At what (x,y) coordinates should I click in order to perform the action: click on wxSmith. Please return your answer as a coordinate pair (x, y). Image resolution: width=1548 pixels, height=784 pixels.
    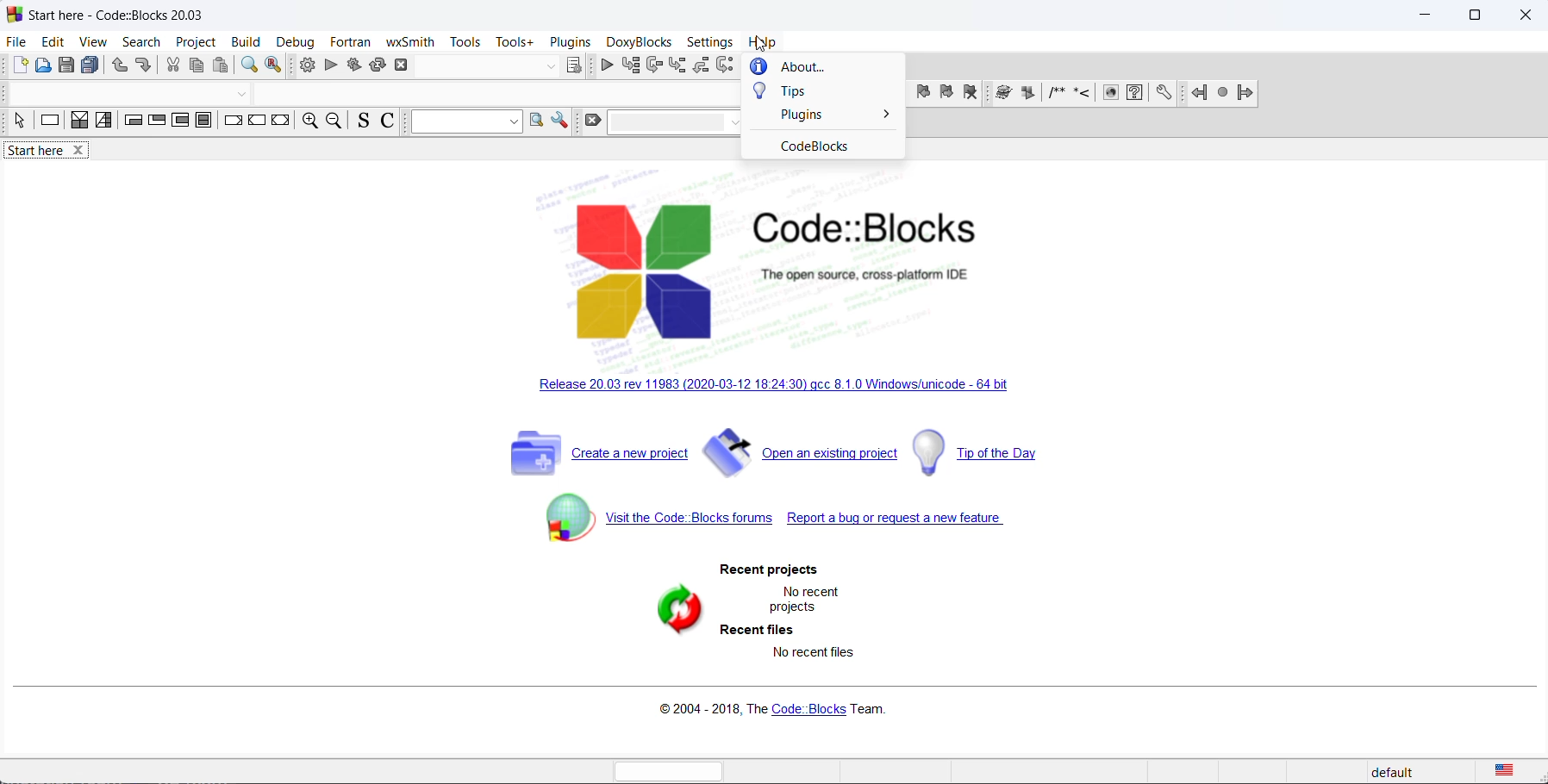
    Looking at the image, I should click on (406, 42).